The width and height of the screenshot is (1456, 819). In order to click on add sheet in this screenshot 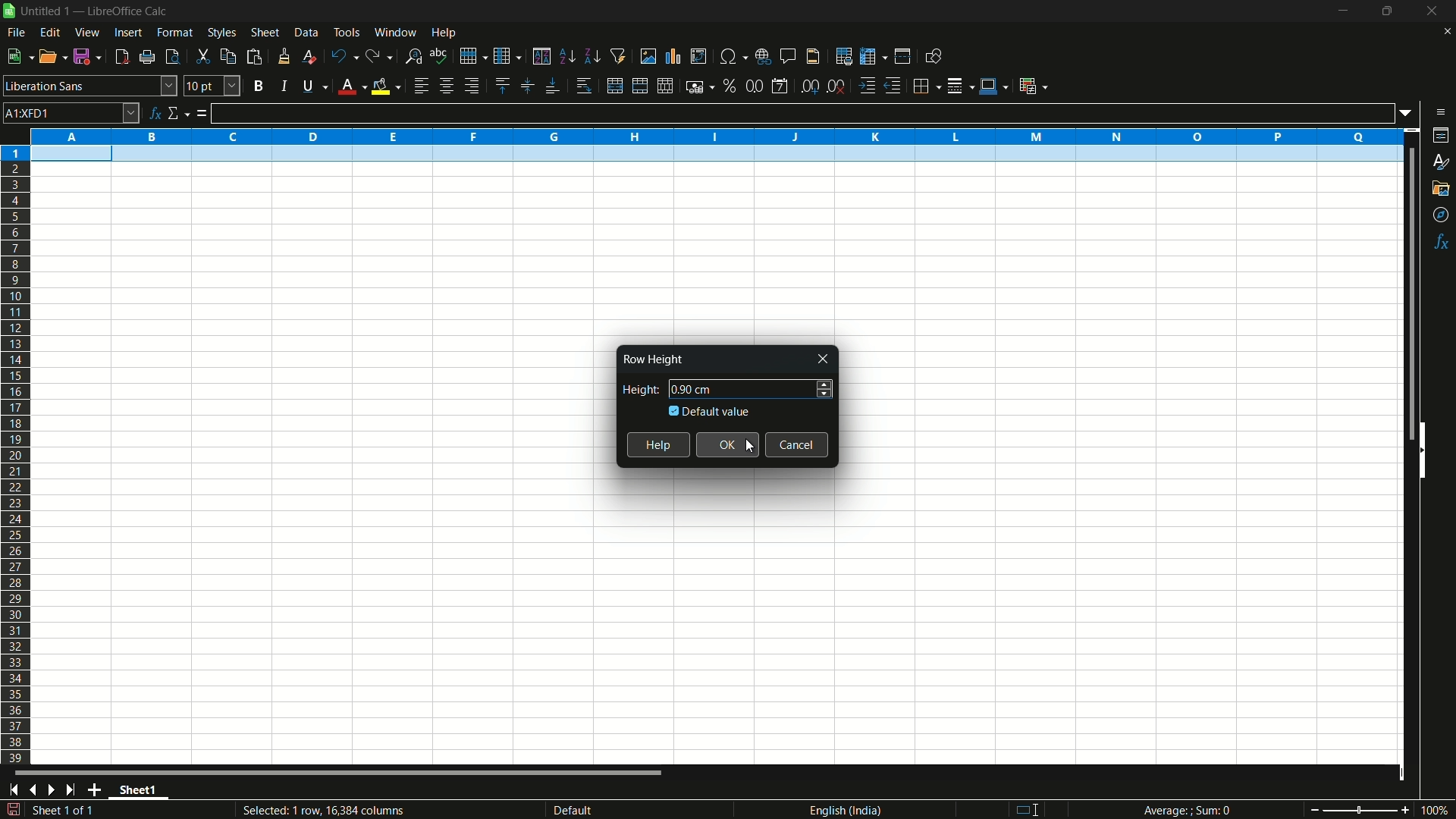, I will do `click(98, 789)`.